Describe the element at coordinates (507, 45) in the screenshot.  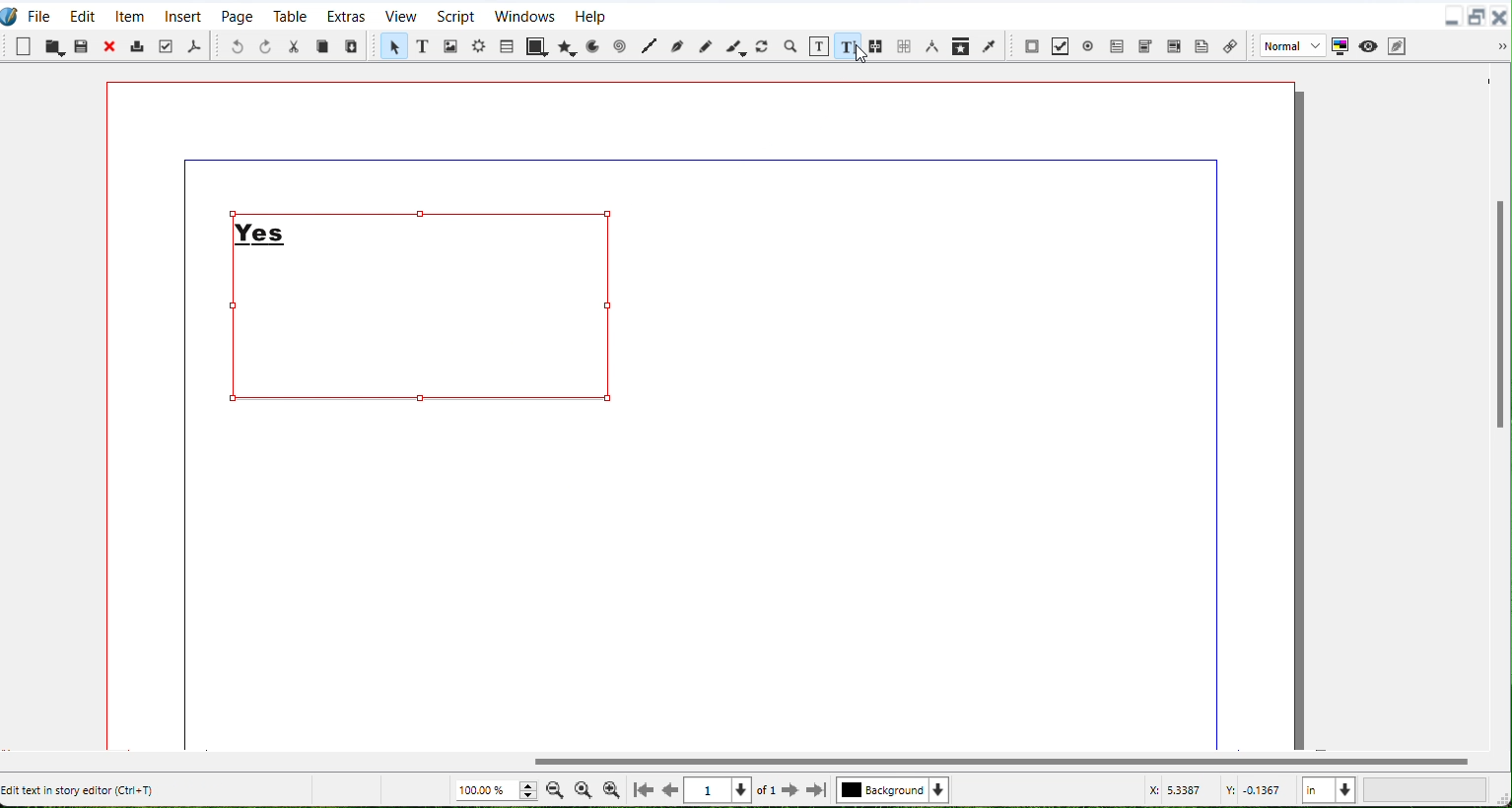
I see `Table` at that location.